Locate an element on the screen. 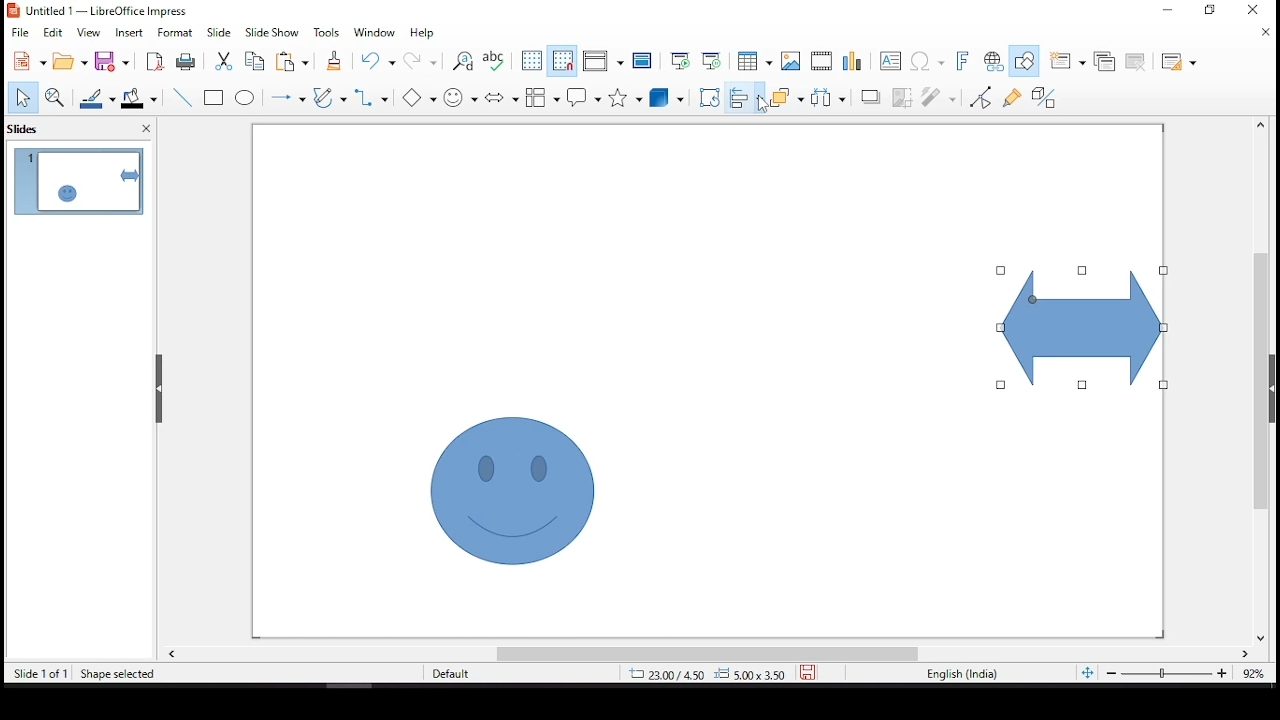  block arrows is located at coordinates (502, 99).